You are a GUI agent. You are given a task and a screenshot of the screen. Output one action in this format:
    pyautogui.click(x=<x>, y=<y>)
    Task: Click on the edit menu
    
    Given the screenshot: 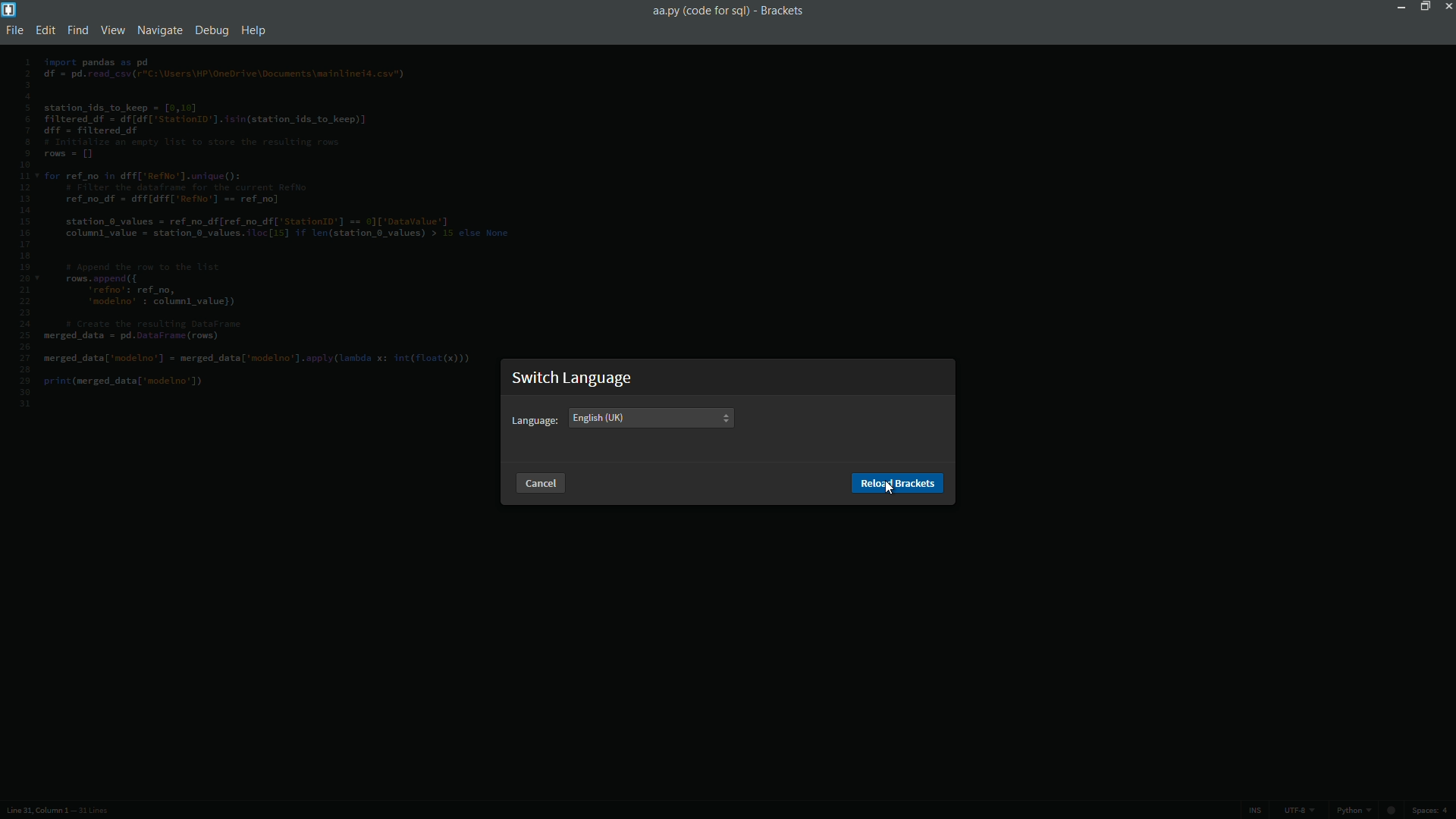 What is the action you would take?
    pyautogui.click(x=47, y=31)
    